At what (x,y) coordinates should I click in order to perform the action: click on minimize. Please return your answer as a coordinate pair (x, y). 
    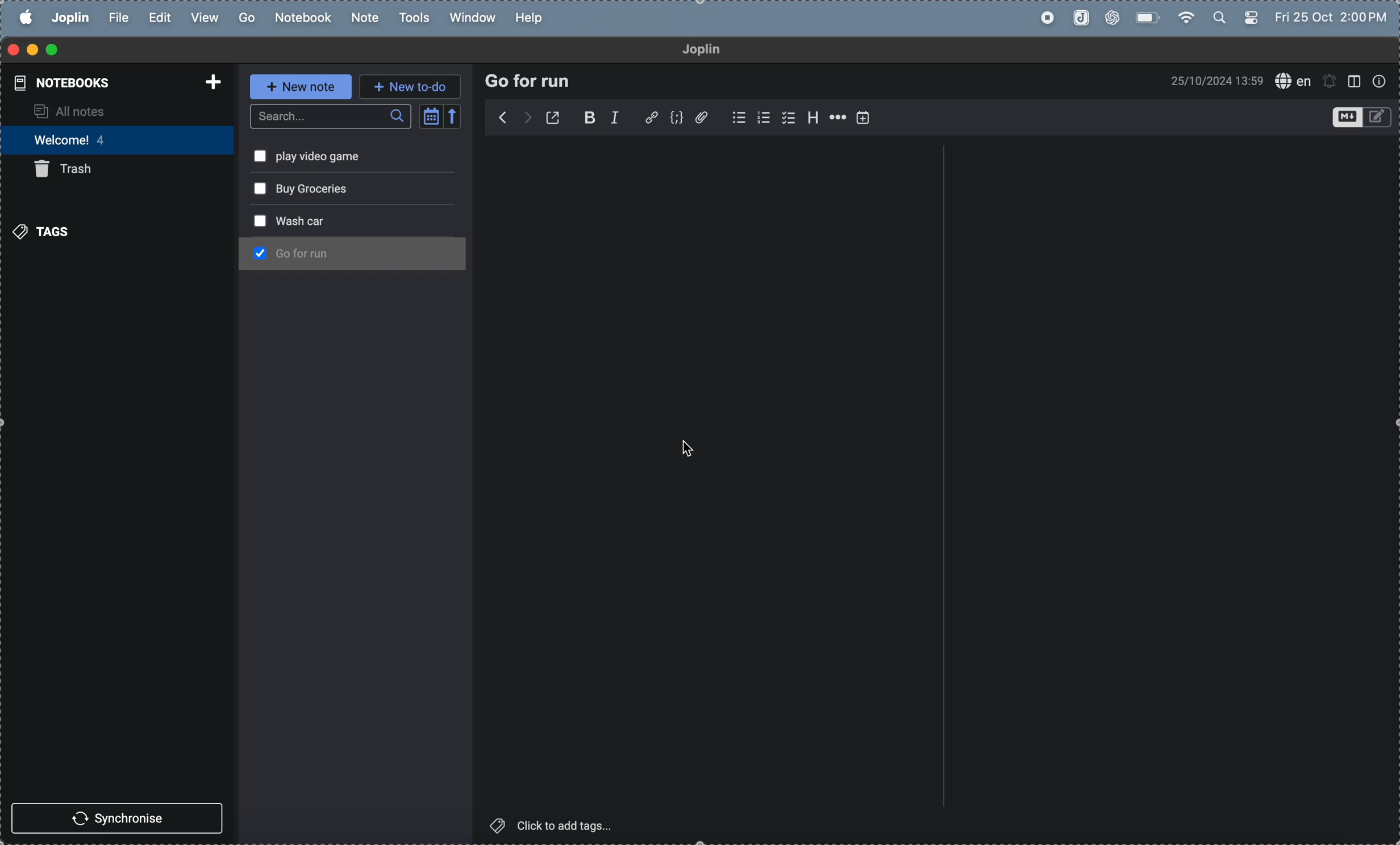
    Looking at the image, I should click on (28, 48).